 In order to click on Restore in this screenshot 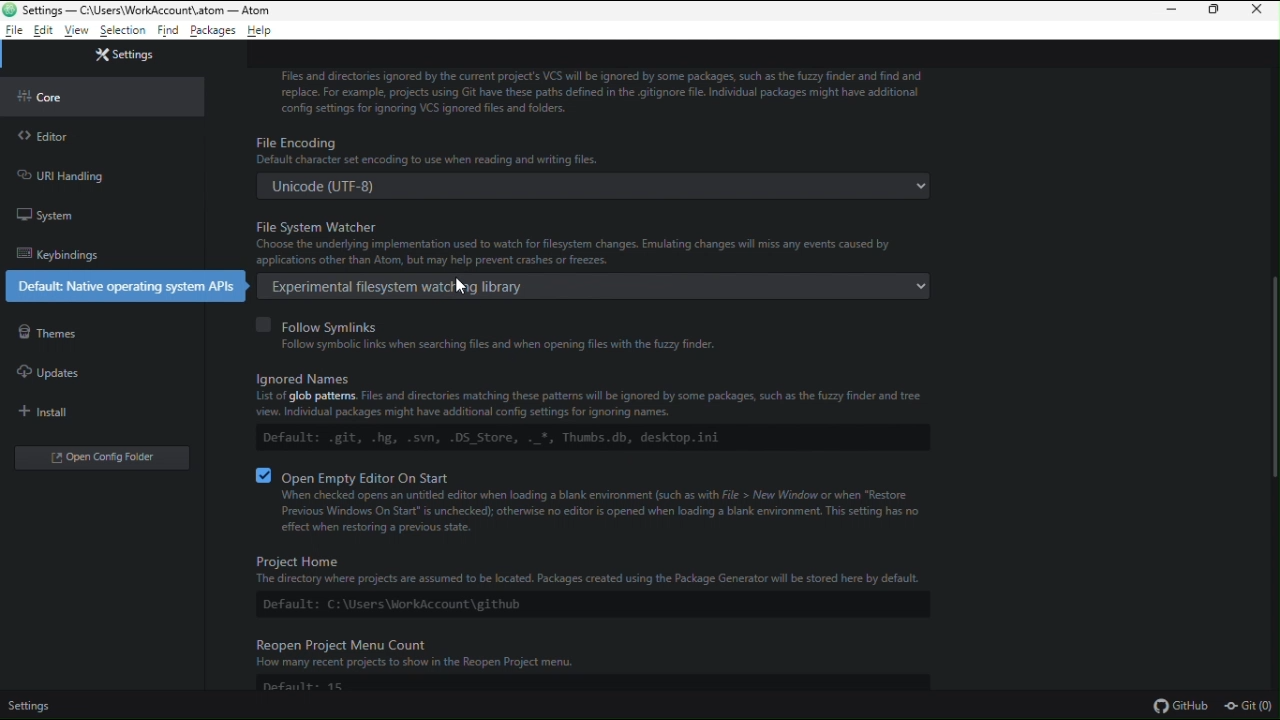, I will do `click(1216, 12)`.